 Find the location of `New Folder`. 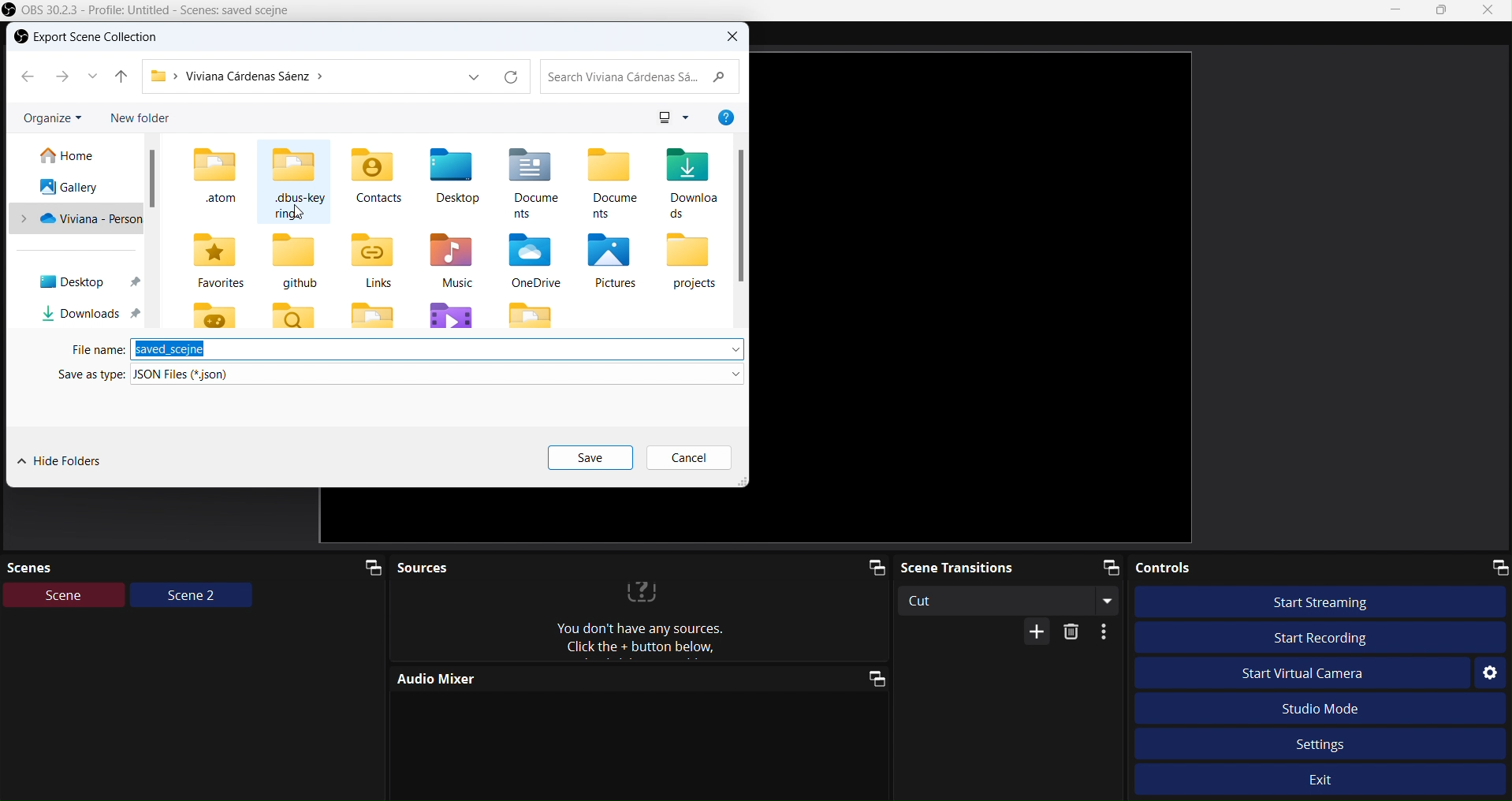

New Folder is located at coordinates (141, 118).